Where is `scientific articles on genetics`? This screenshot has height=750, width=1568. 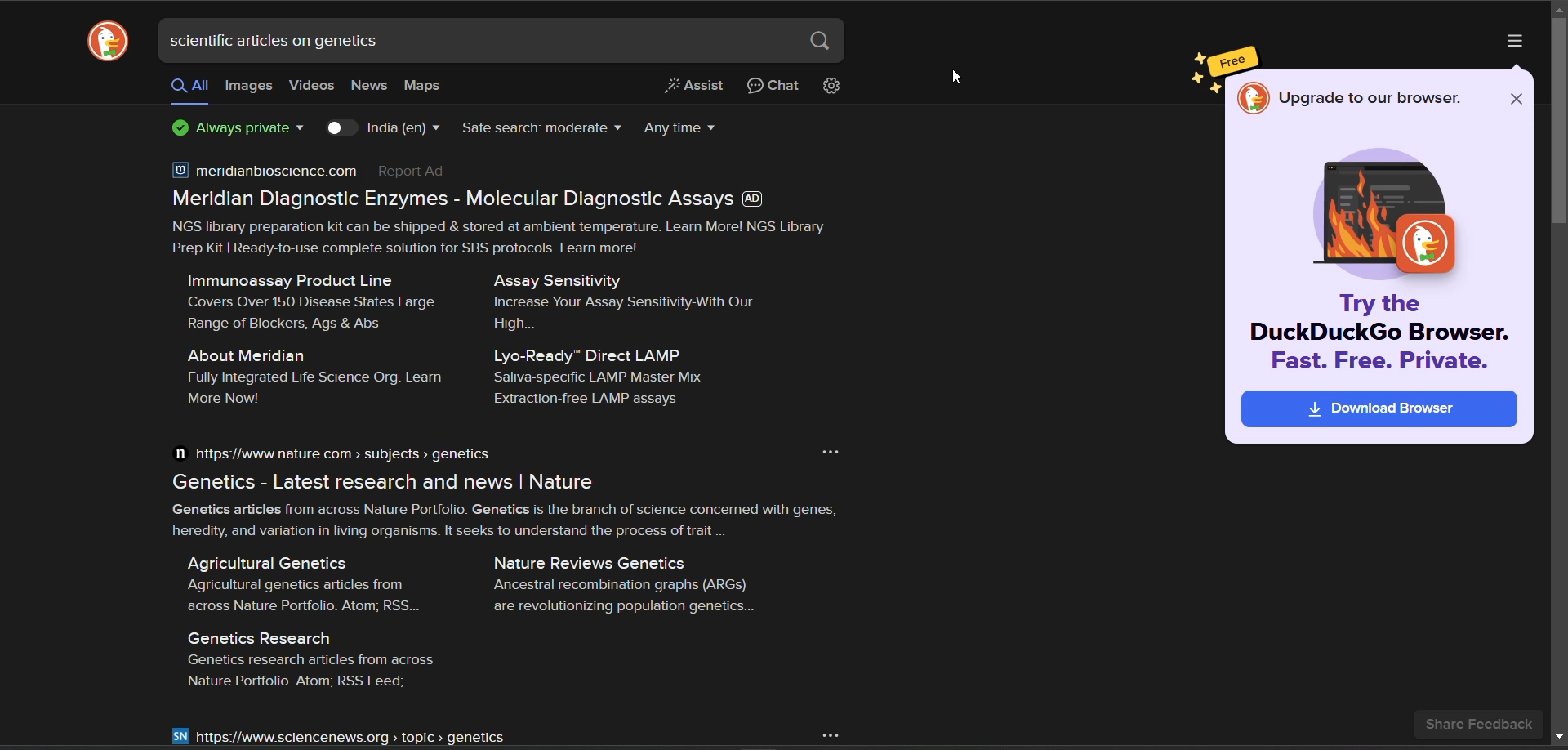
scientific articles on genetics is located at coordinates (287, 41).